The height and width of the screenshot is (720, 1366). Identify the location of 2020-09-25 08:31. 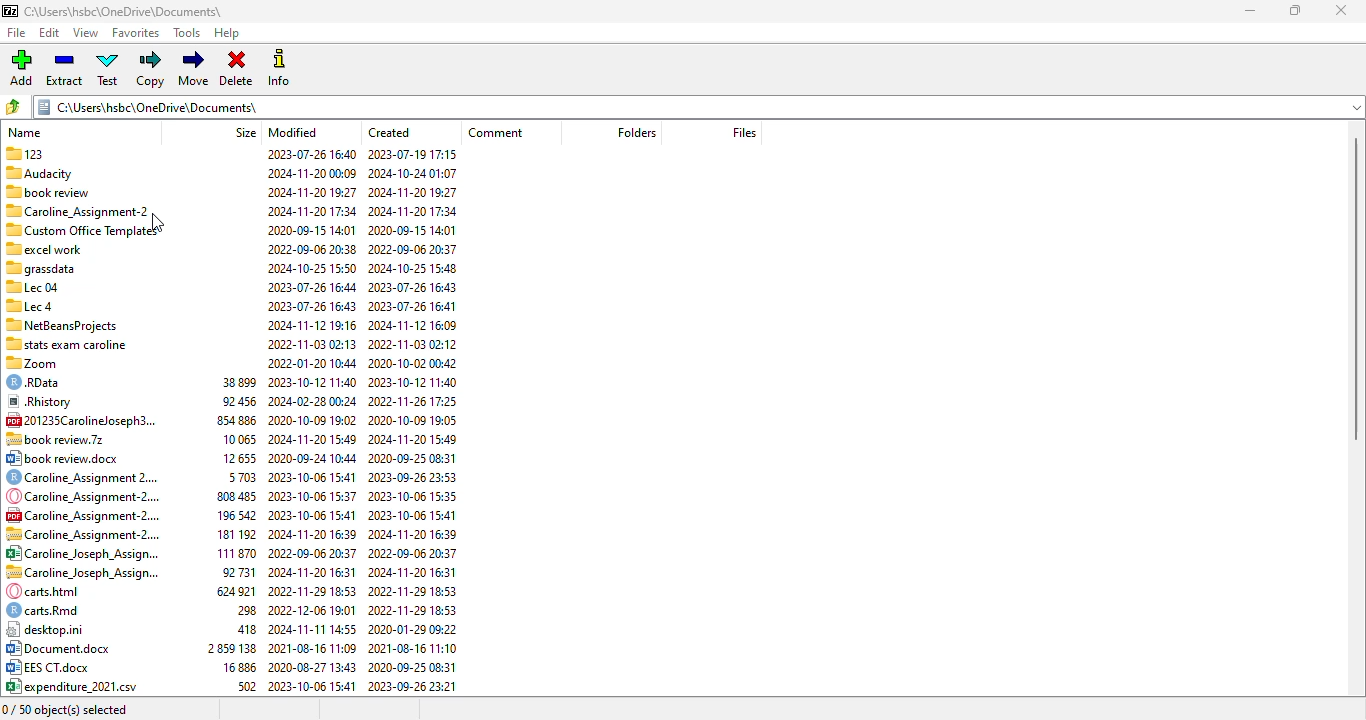
(414, 458).